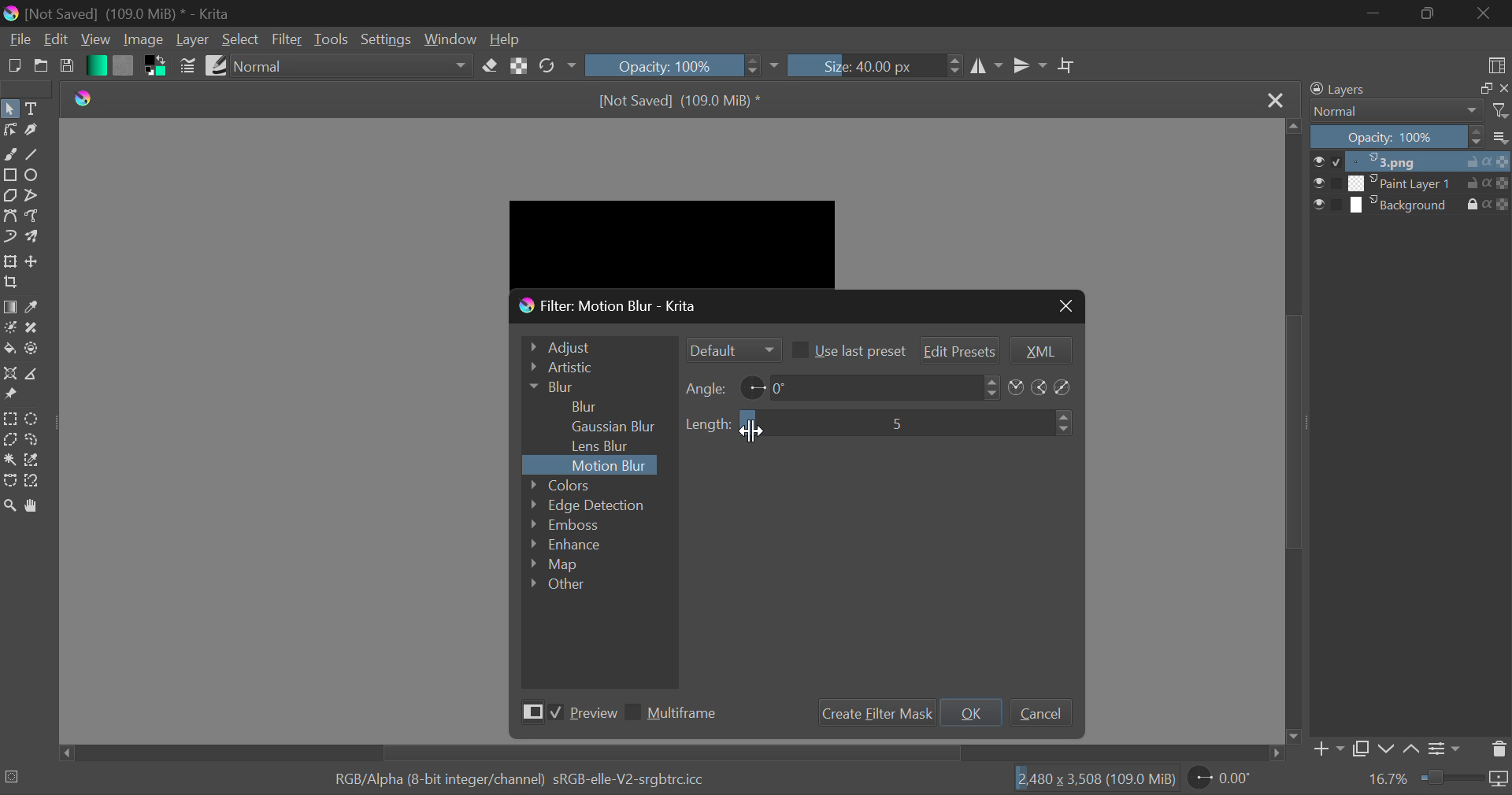 The height and width of the screenshot is (795, 1512). Describe the element at coordinates (620, 425) in the screenshot. I see `Gaussian Blur` at that location.